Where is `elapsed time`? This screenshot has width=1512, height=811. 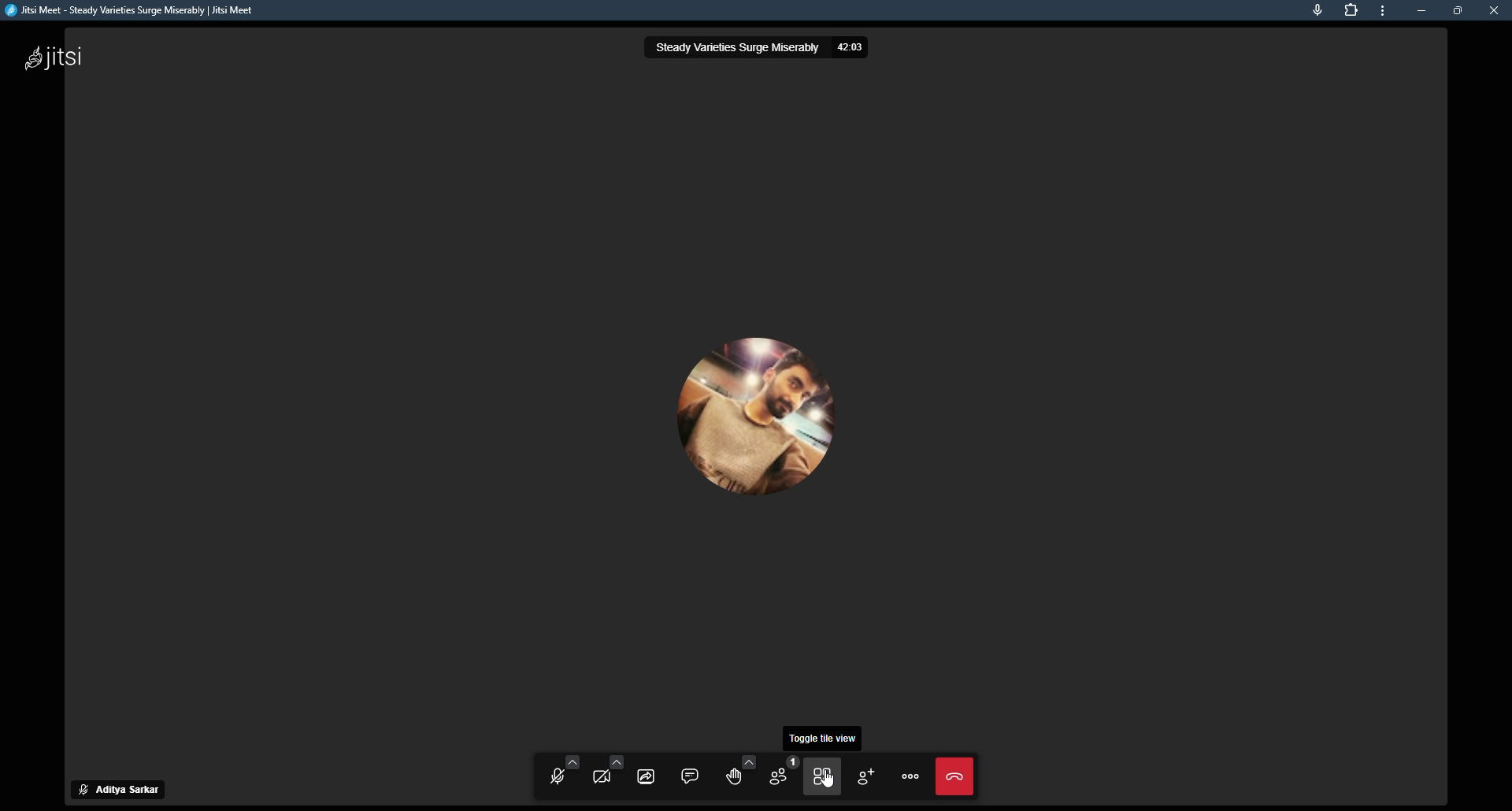 elapsed time is located at coordinates (856, 48).